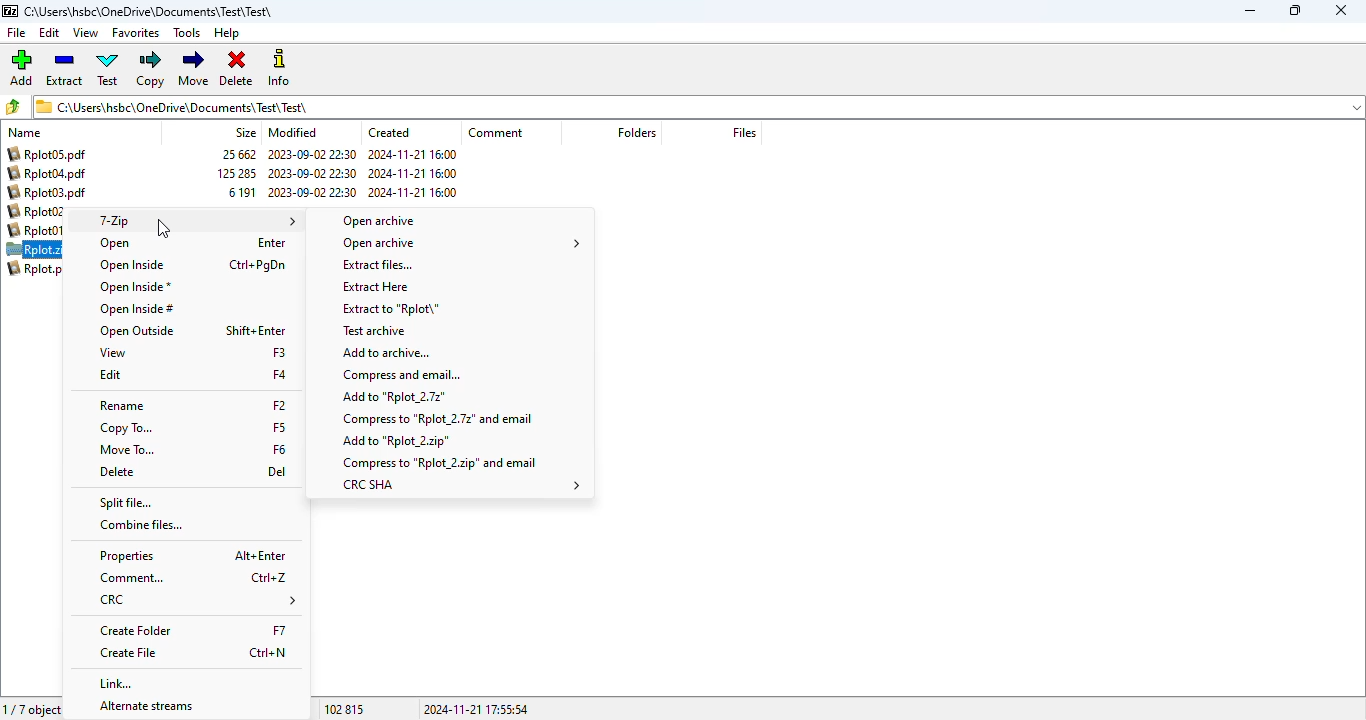 Image resolution: width=1366 pixels, height=720 pixels. I want to click on open outside, so click(137, 331).